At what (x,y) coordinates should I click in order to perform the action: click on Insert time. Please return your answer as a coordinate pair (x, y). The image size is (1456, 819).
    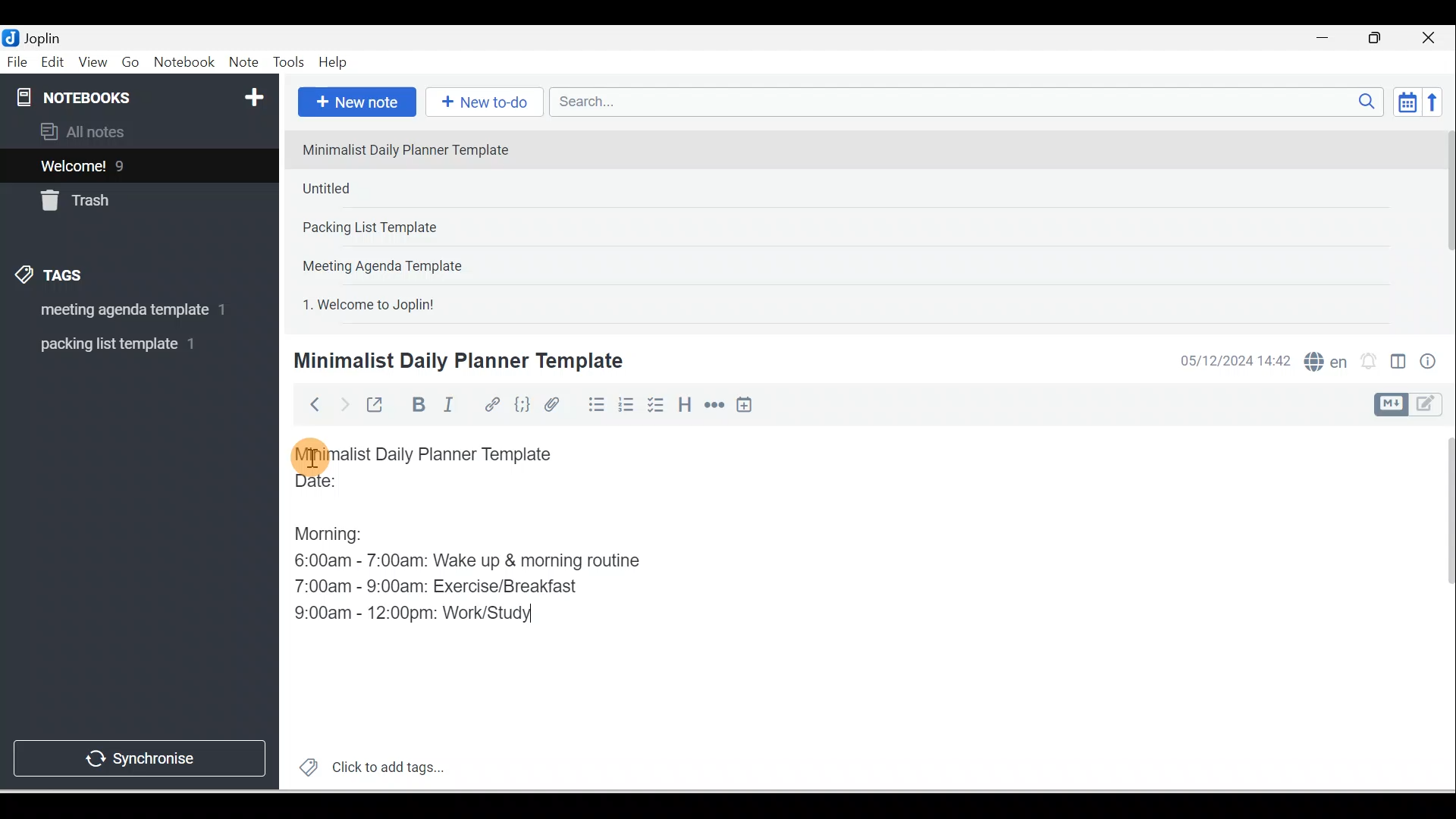
    Looking at the image, I should click on (744, 406).